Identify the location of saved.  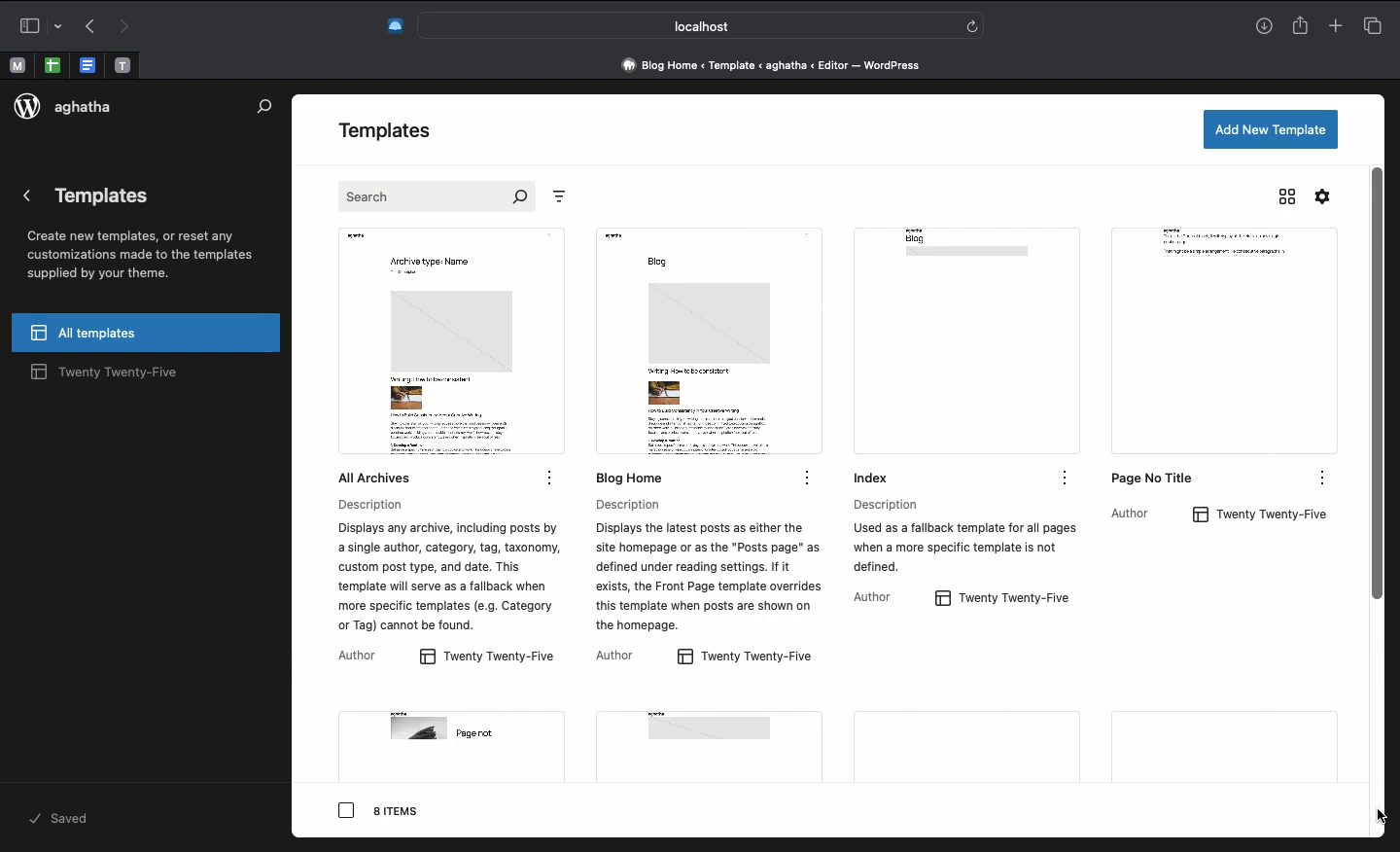
(69, 817).